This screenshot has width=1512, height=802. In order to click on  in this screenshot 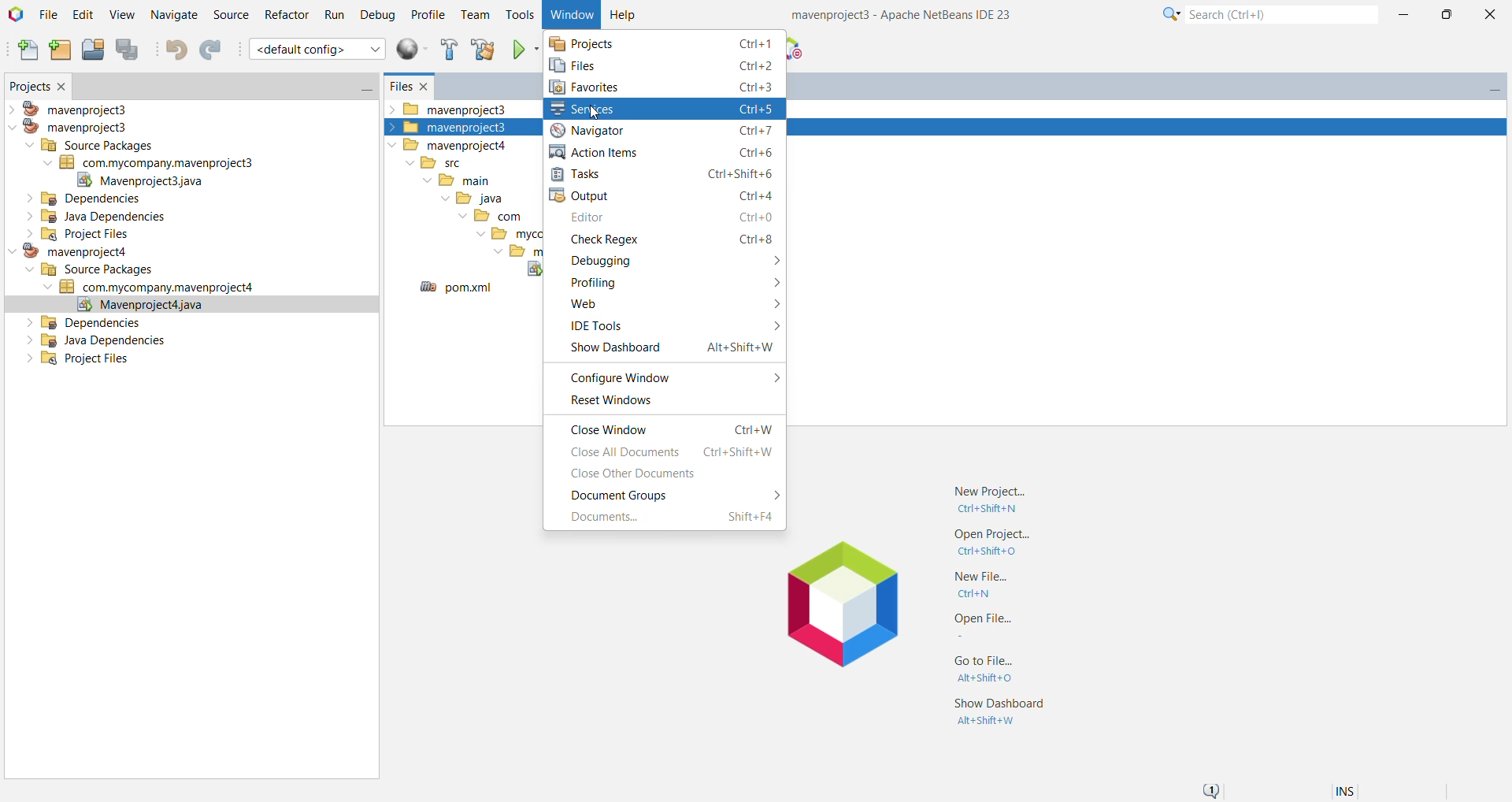, I will do `click(640, 473)`.